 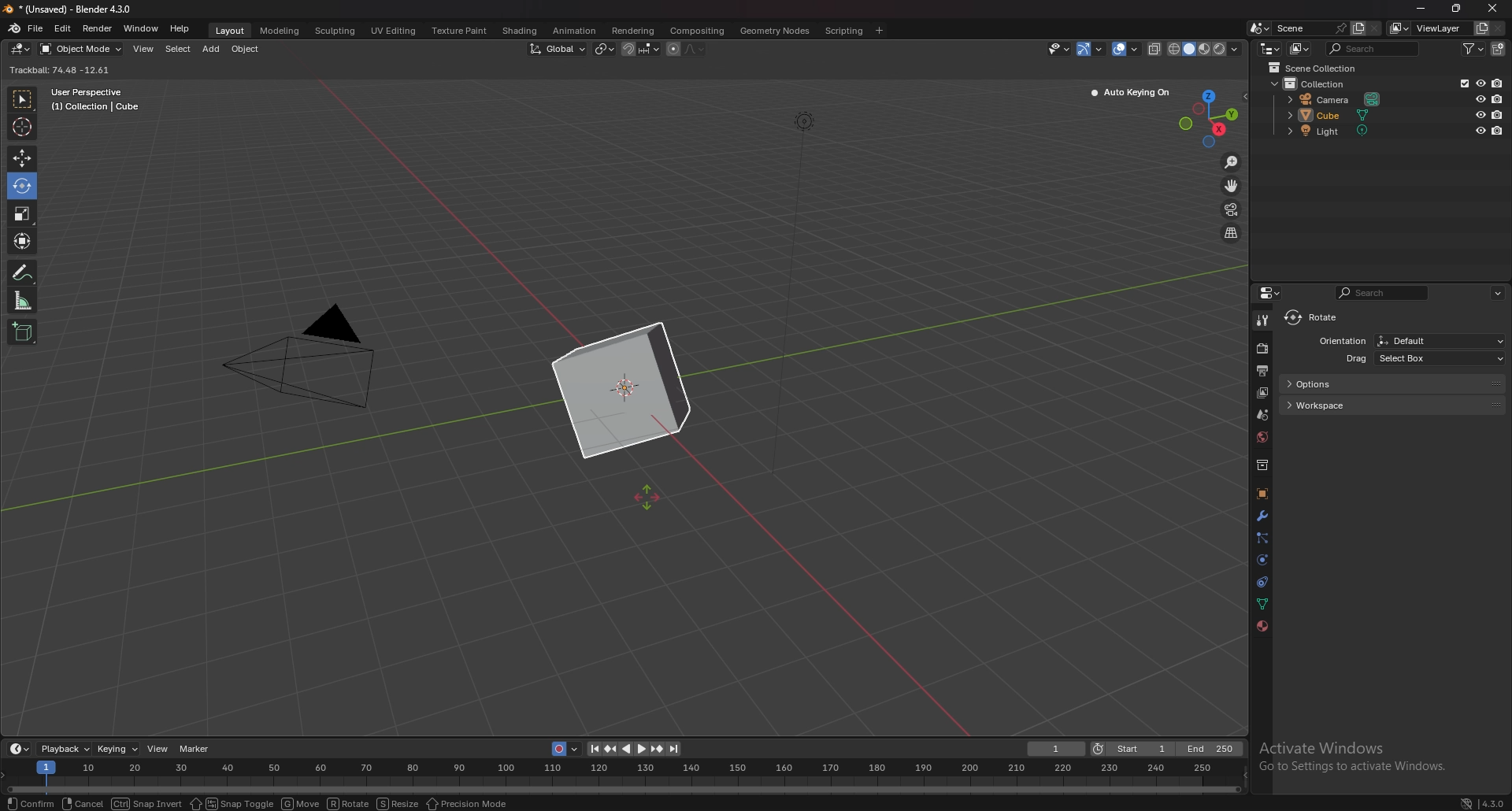 What do you see at coordinates (22, 100) in the screenshot?
I see `selector` at bounding box center [22, 100].